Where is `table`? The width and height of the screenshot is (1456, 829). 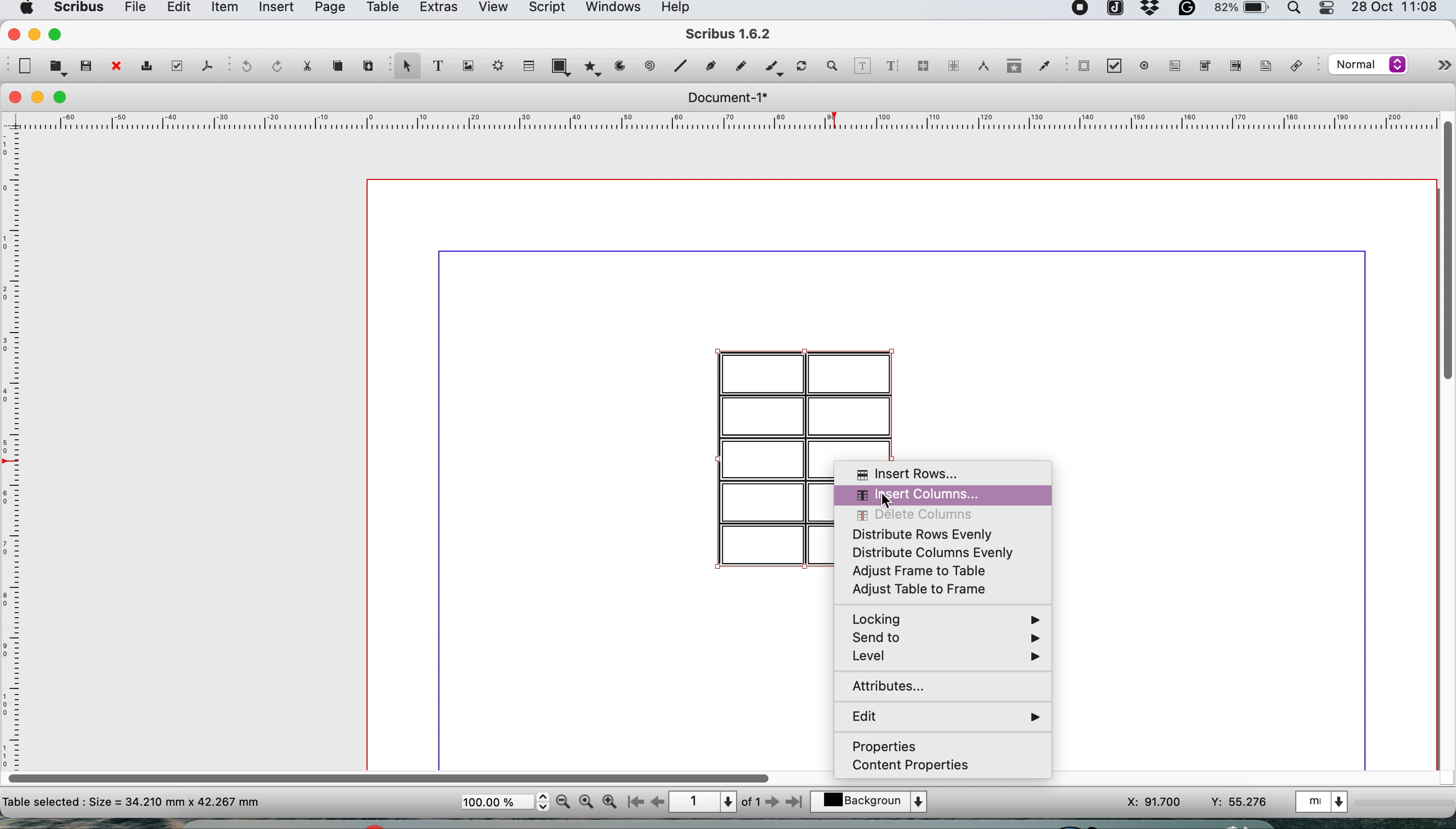
table is located at coordinates (381, 9).